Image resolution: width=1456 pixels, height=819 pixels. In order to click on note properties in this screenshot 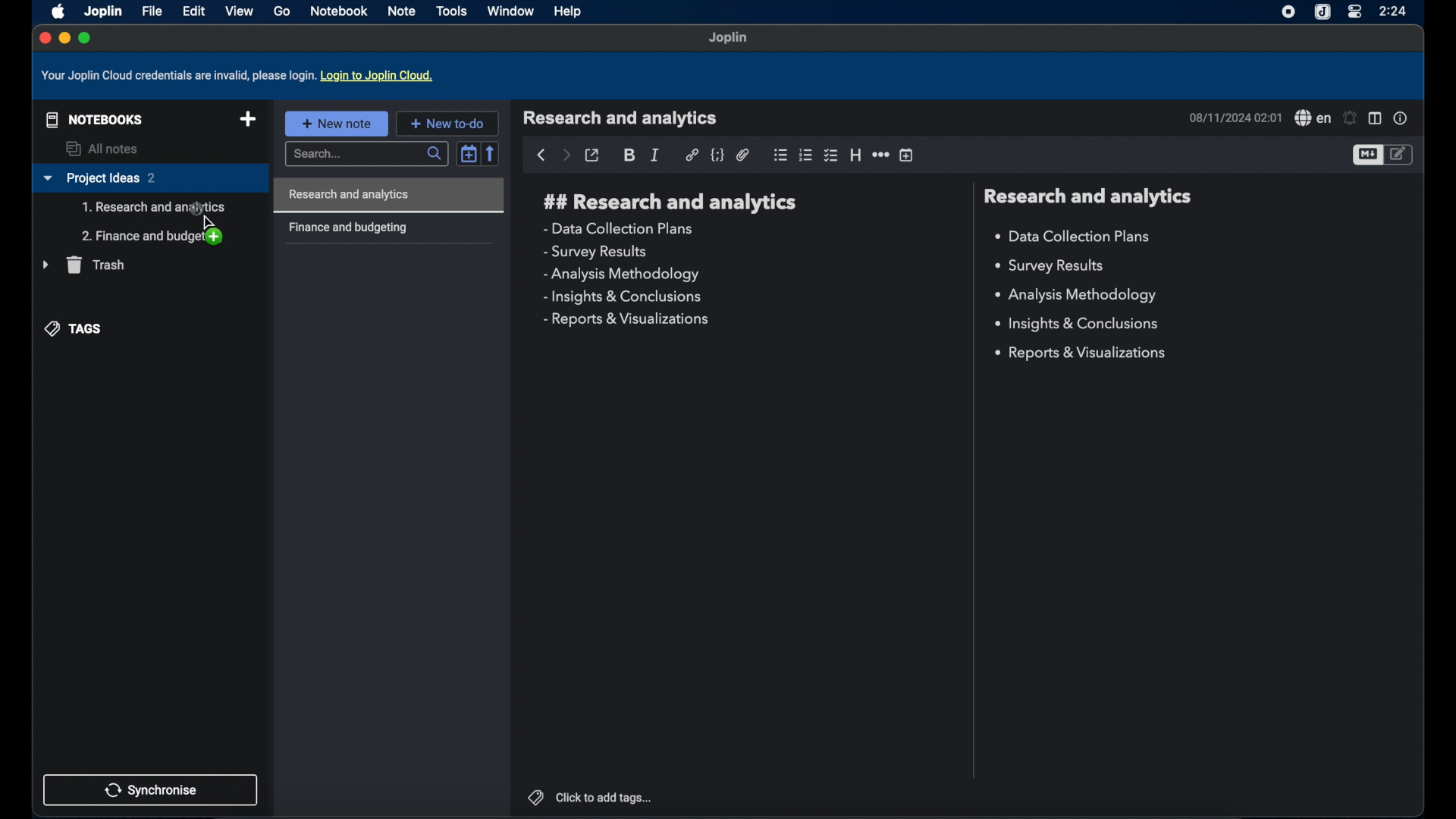, I will do `click(1401, 118)`.